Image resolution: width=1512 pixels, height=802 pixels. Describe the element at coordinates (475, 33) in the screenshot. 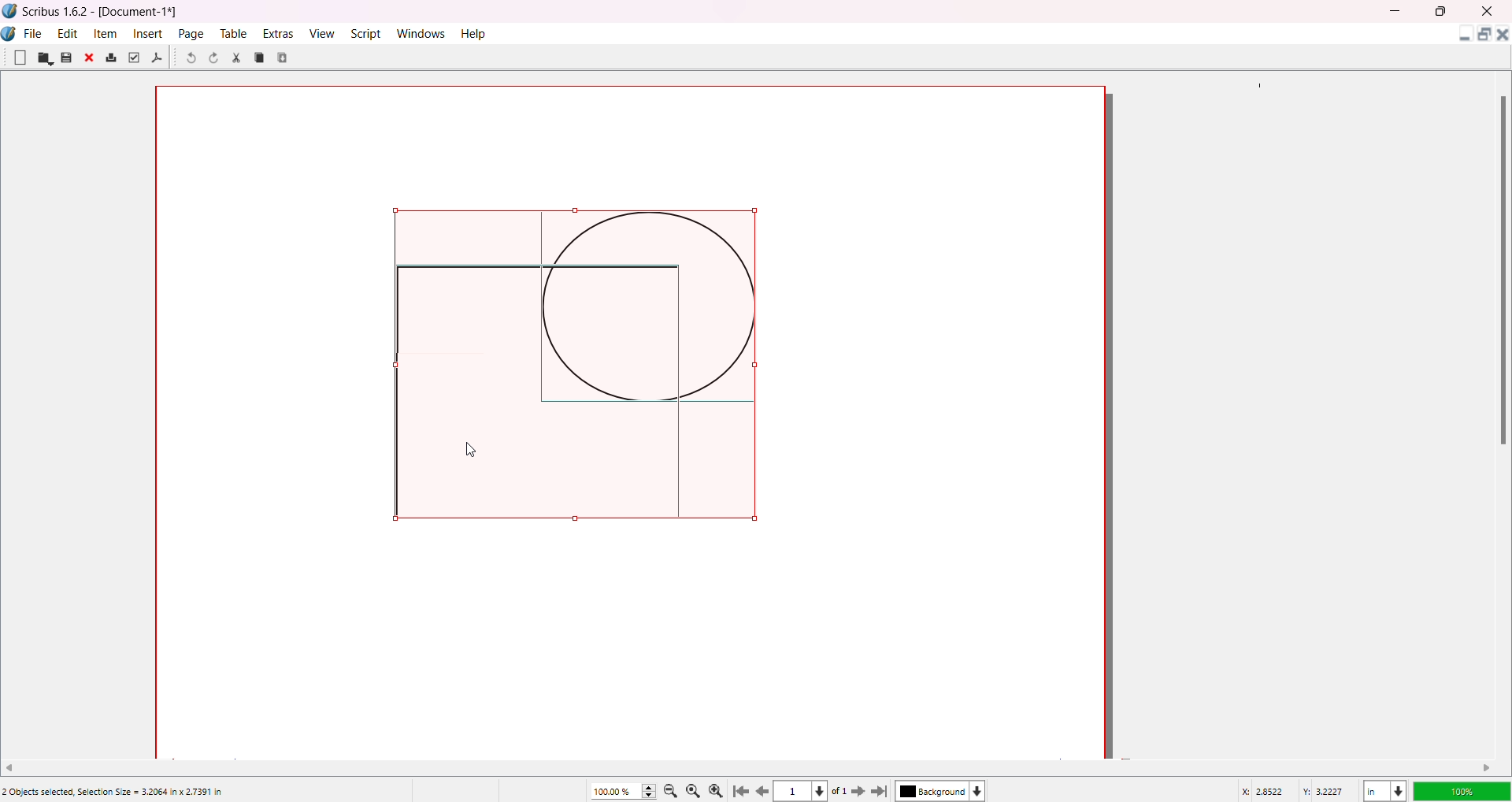

I see `Help` at that location.